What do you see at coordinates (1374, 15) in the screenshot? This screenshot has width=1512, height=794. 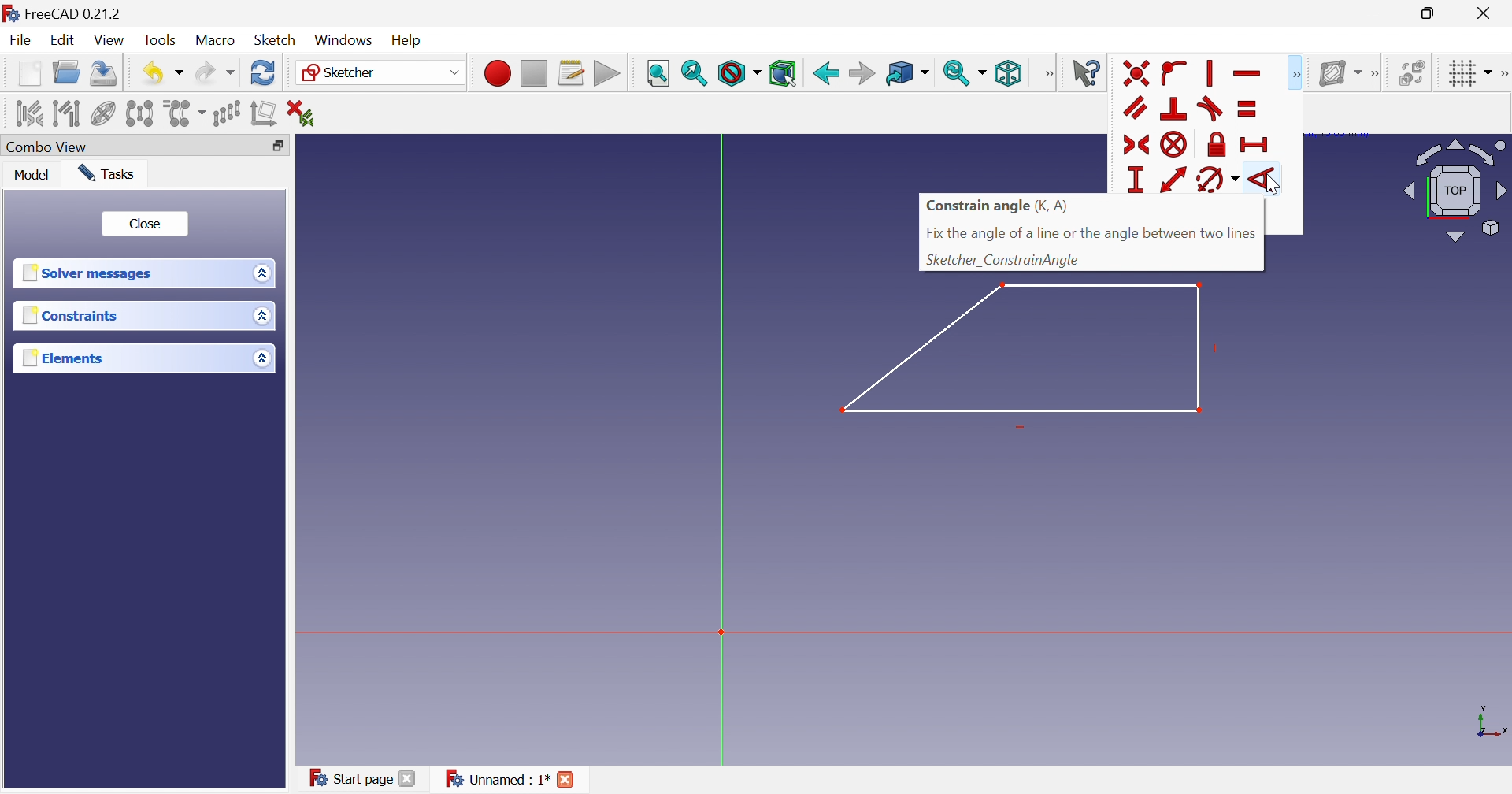 I see `Minimize` at bounding box center [1374, 15].